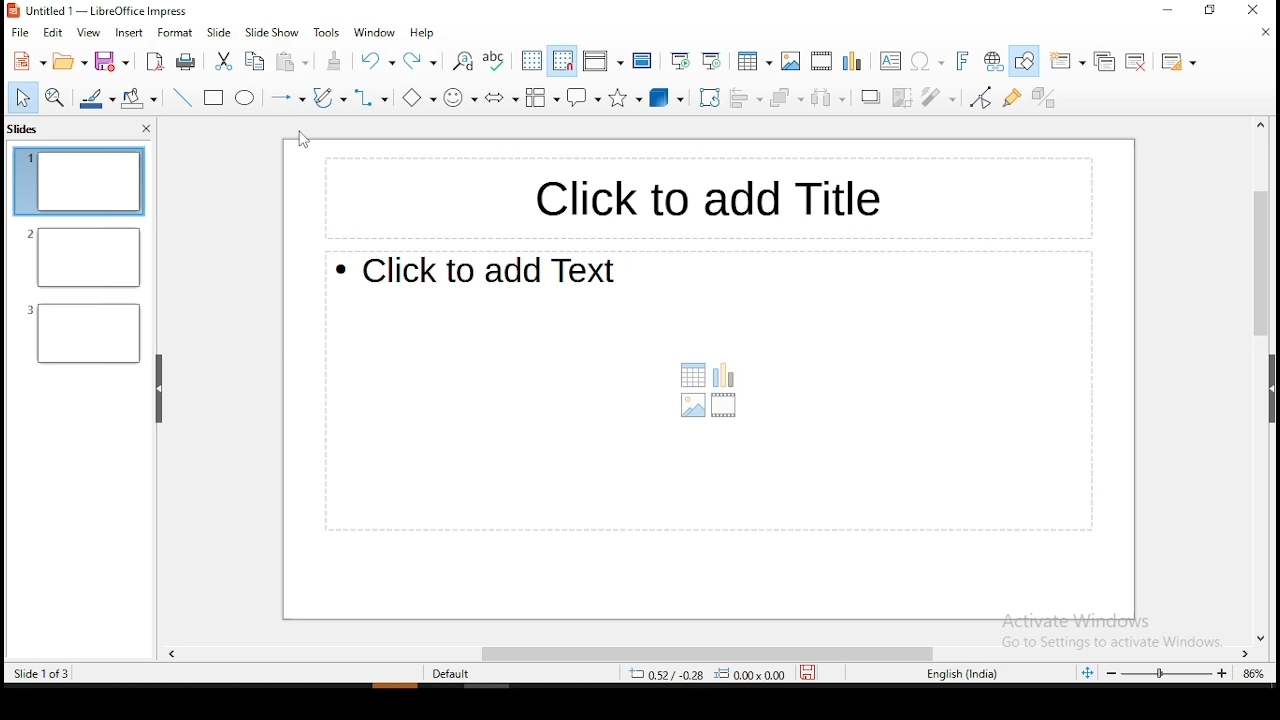 The height and width of the screenshot is (720, 1280). I want to click on master slide, so click(643, 62).